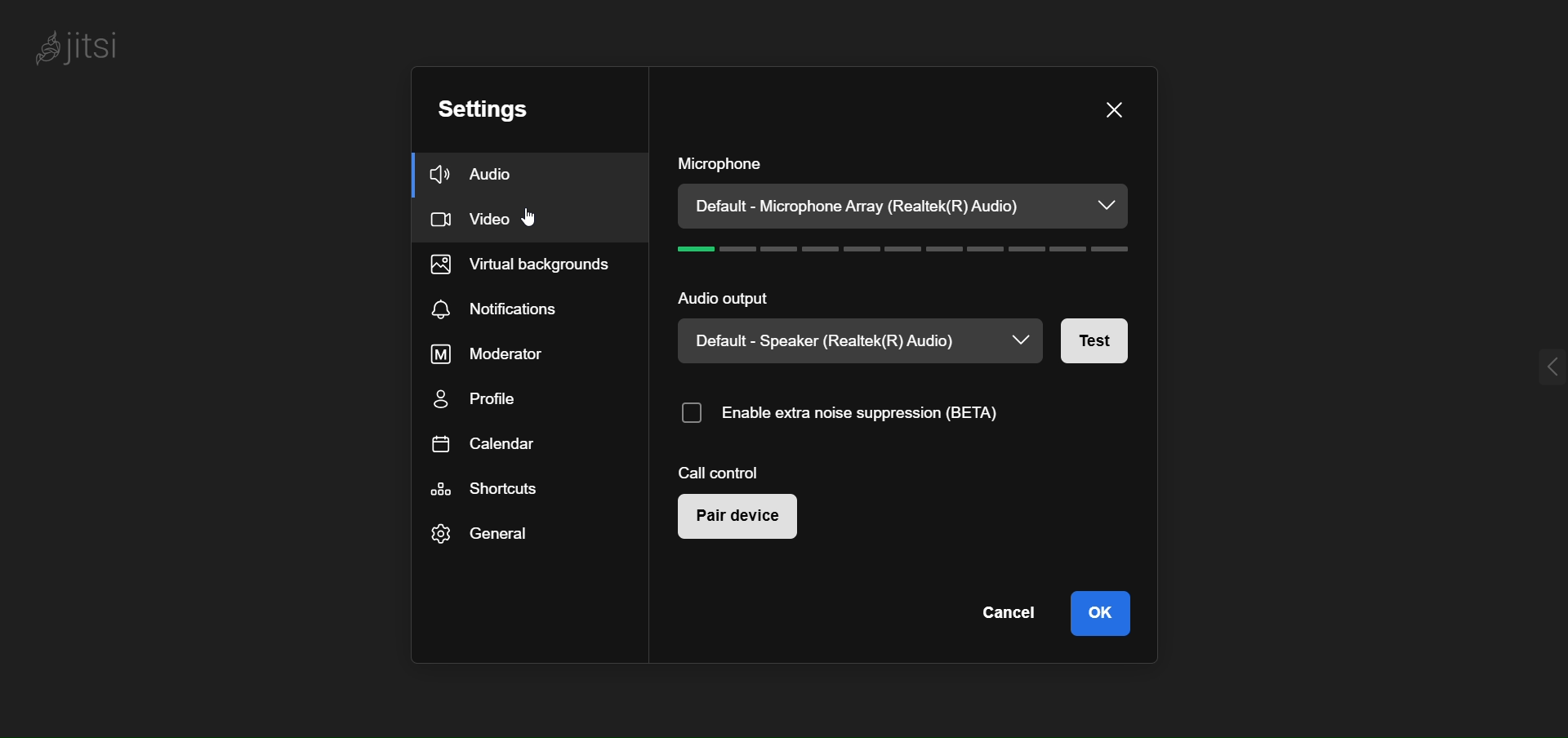 This screenshot has width=1568, height=738. Describe the element at coordinates (493, 443) in the screenshot. I see `calendar` at that location.